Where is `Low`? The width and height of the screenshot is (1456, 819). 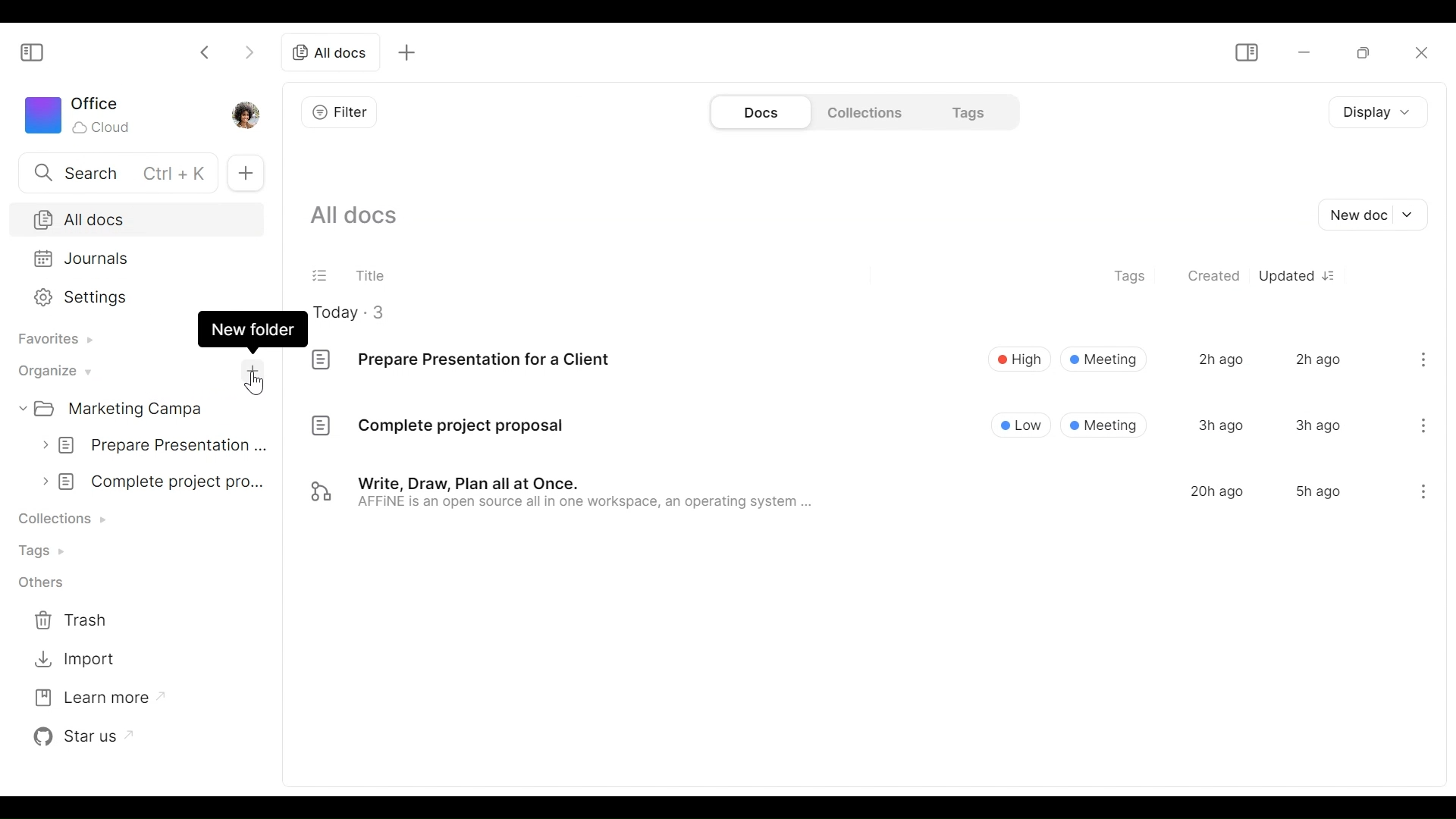
Low is located at coordinates (1022, 424).